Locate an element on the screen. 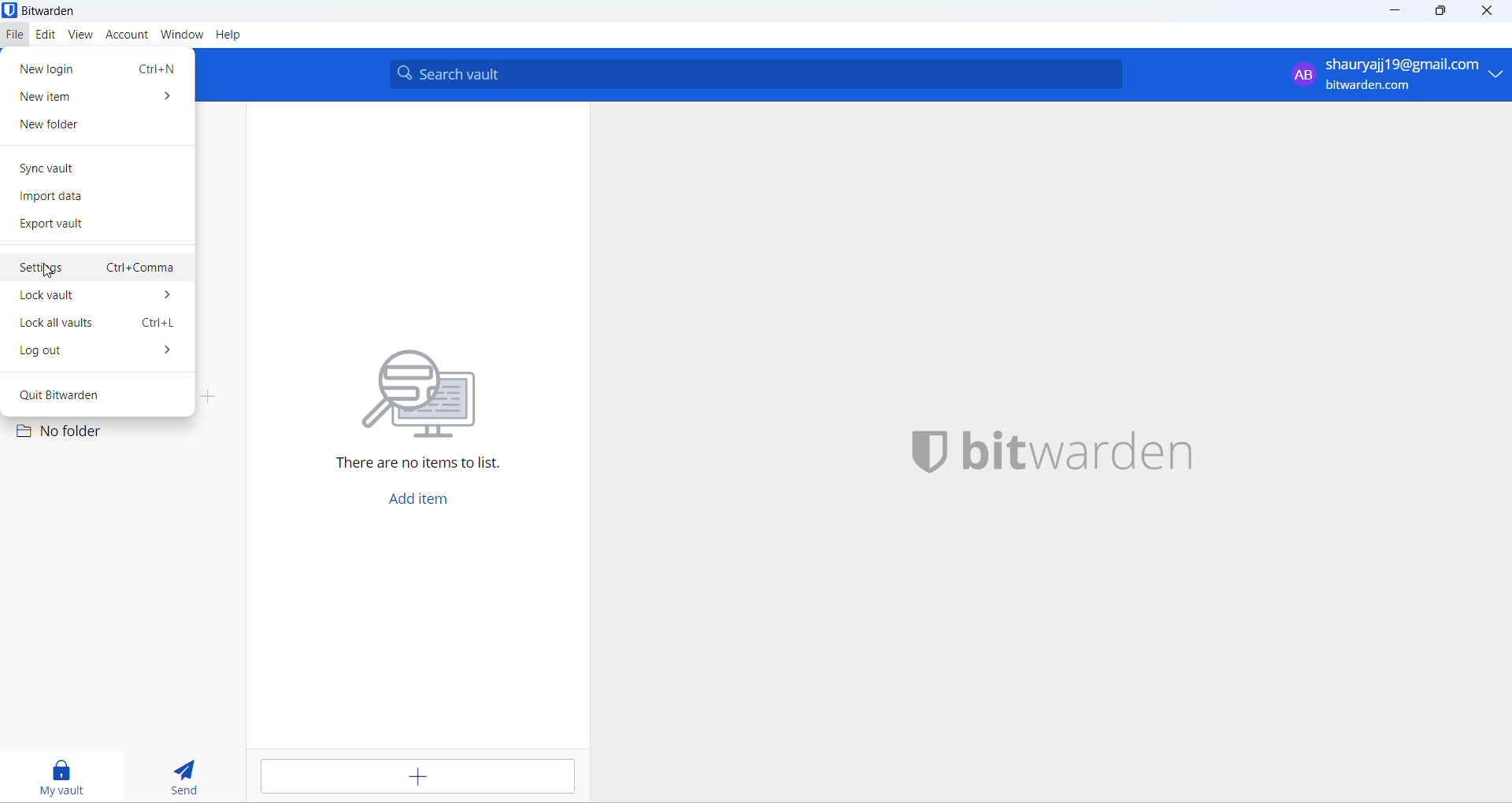 Image resolution: width=1512 pixels, height=803 pixels. text and graphics is located at coordinates (428, 405).